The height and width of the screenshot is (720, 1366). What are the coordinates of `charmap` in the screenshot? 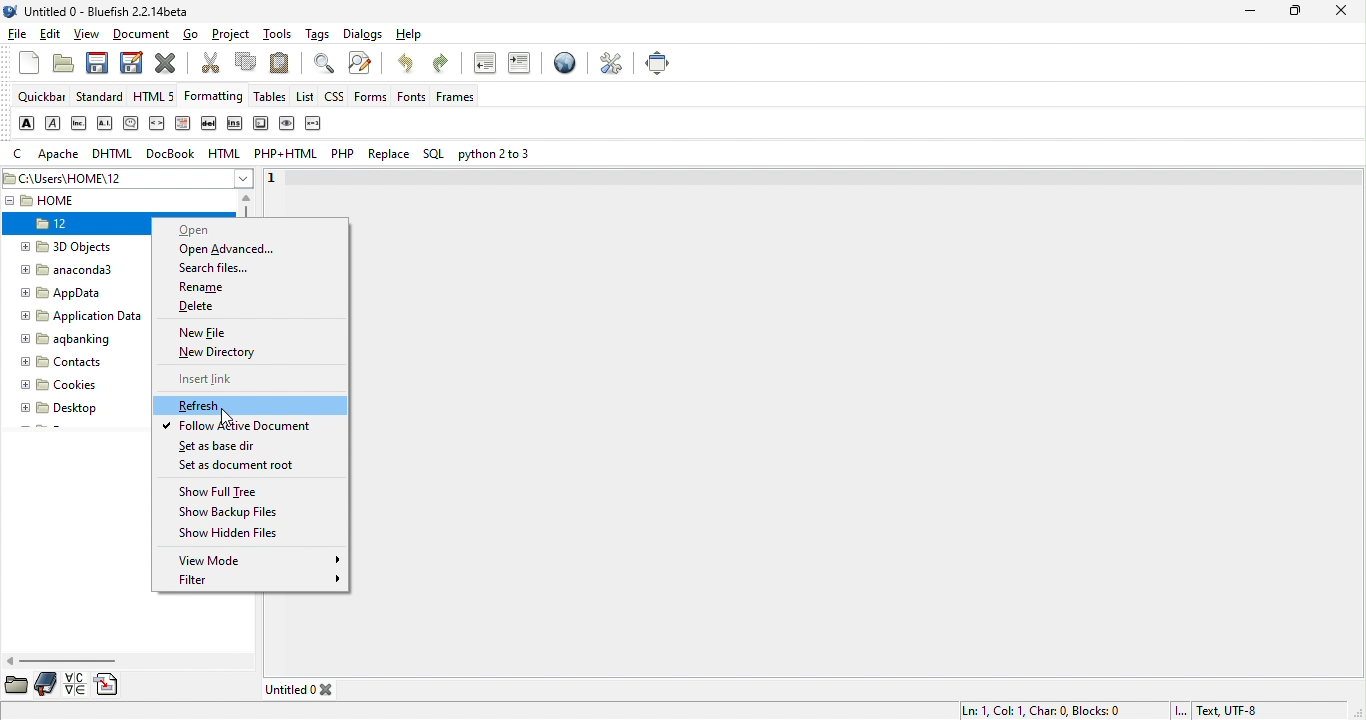 It's located at (75, 684).